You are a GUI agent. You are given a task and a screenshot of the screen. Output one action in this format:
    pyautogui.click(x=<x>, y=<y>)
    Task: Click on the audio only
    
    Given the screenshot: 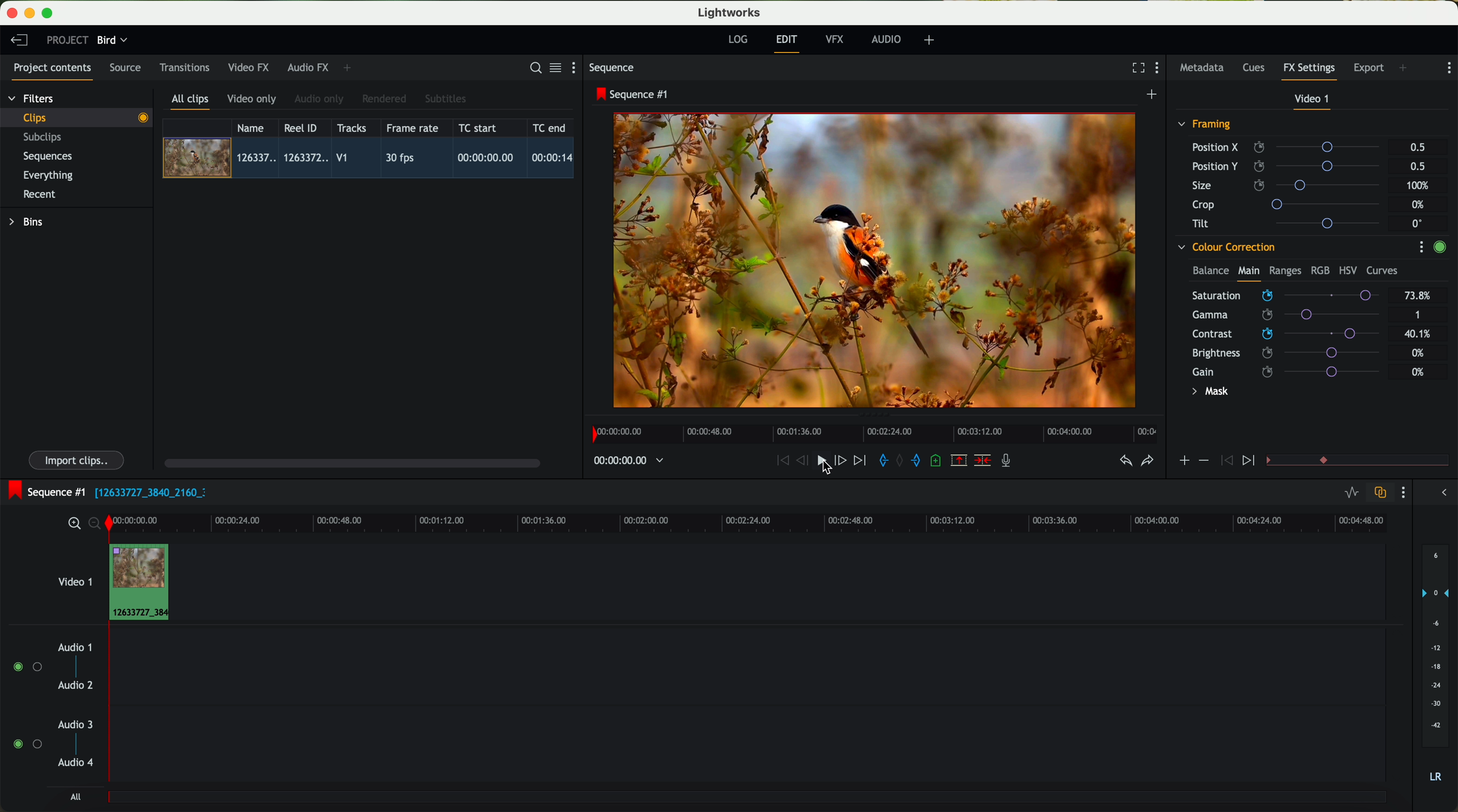 What is the action you would take?
    pyautogui.click(x=320, y=99)
    